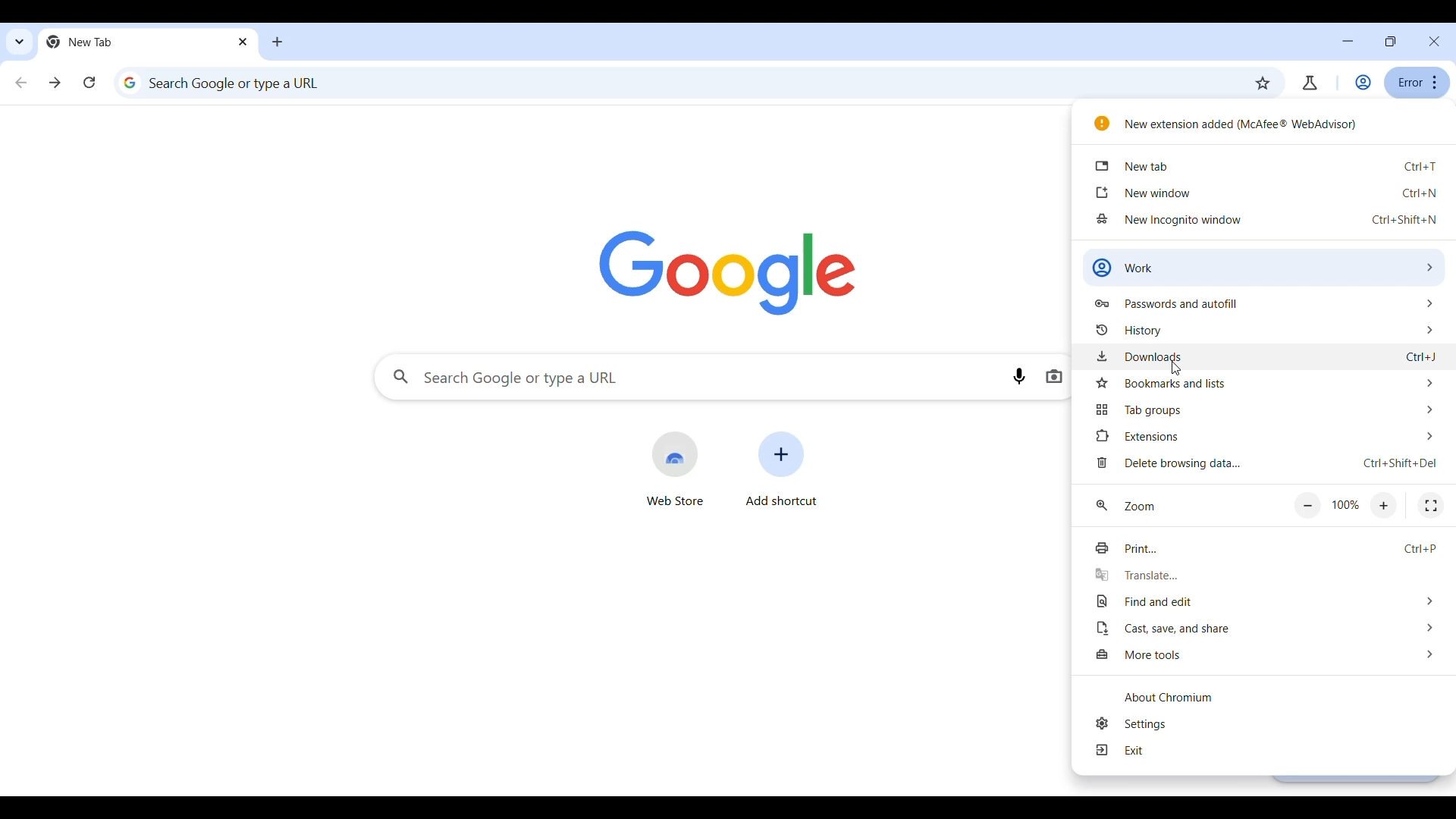 The width and height of the screenshot is (1456, 819). What do you see at coordinates (1417, 82) in the screenshot?
I see `error` at bounding box center [1417, 82].